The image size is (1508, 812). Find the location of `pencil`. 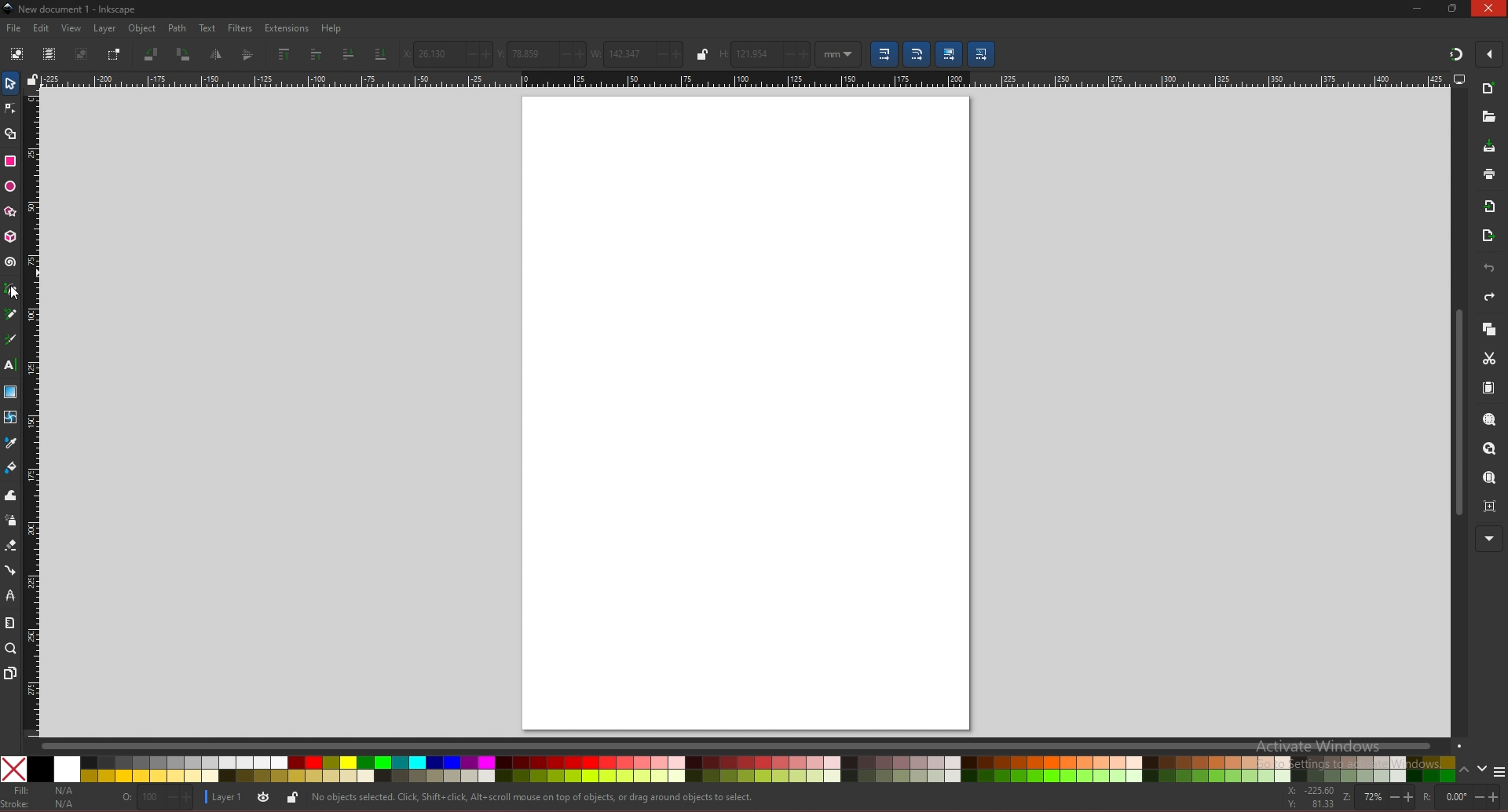

pencil is located at coordinates (11, 313).